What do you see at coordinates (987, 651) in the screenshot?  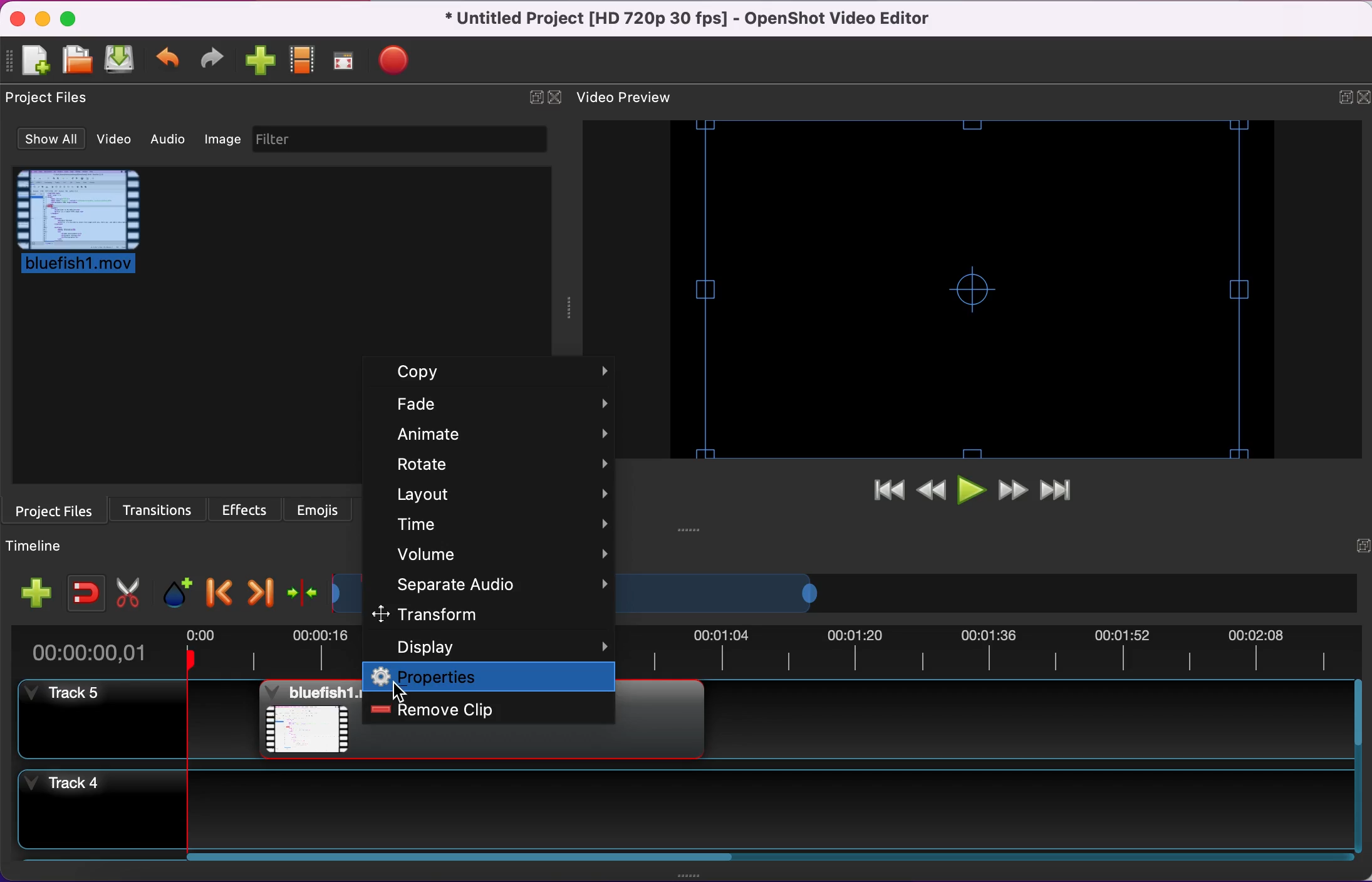 I see `Time duration` at bounding box center [987, 651].